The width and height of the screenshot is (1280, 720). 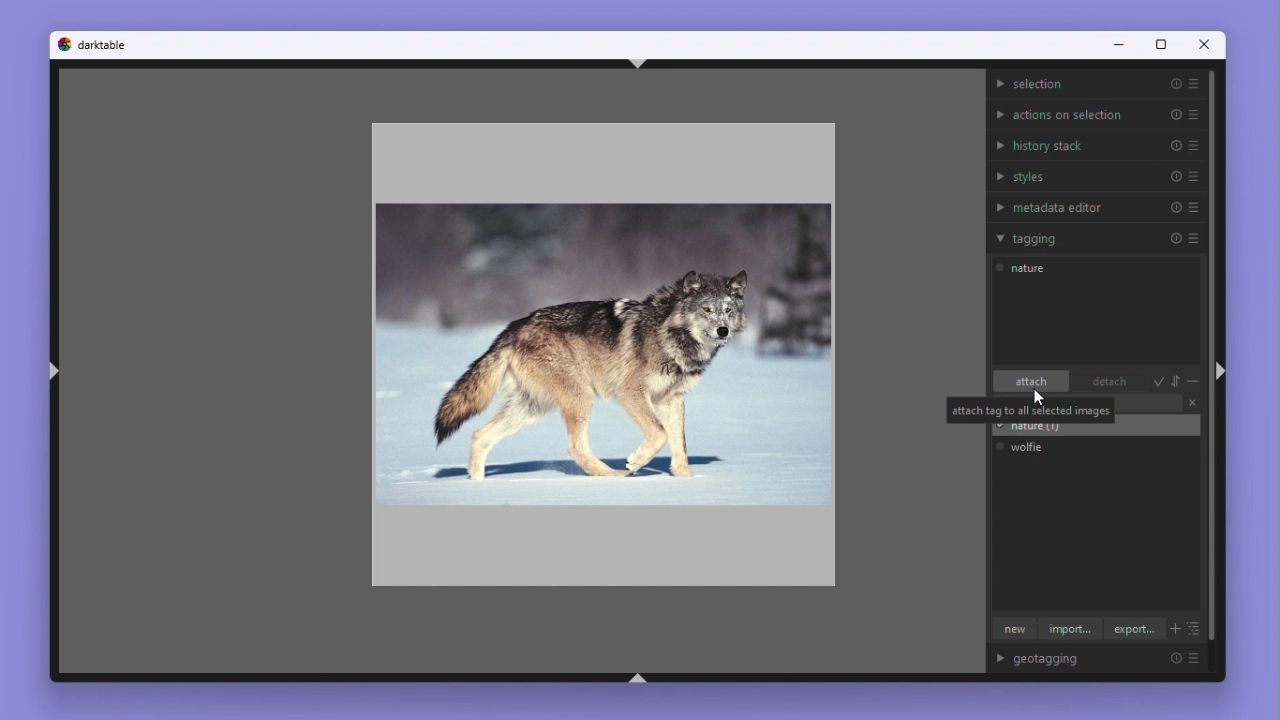 What do you see at coordinates (1219, 370) in the screenshot?
I see `ctrl+shift+r` at bounding box center [1219, 370].